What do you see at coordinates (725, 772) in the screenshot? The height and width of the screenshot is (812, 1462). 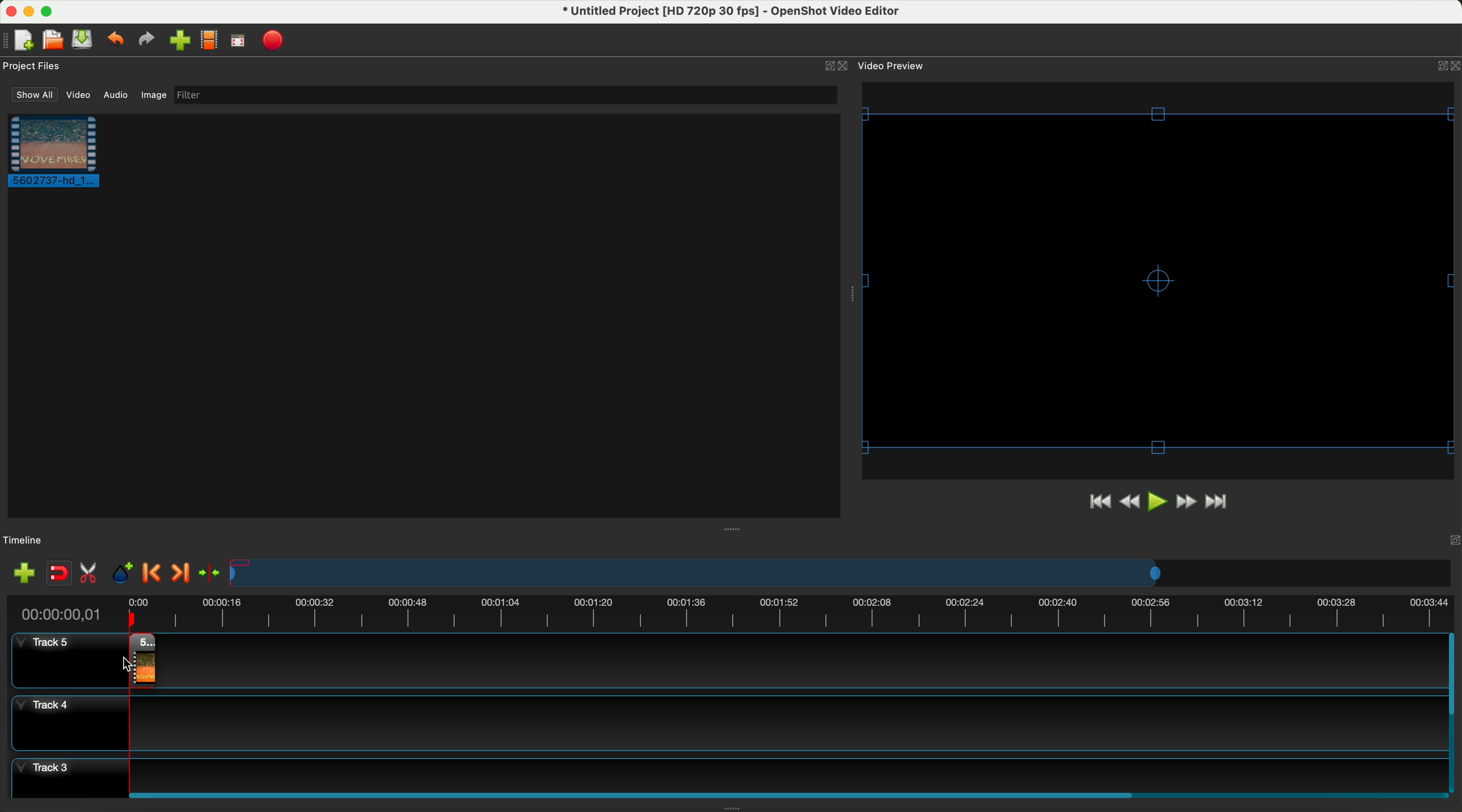 I see `track 3` at bounding box center [725, 772].